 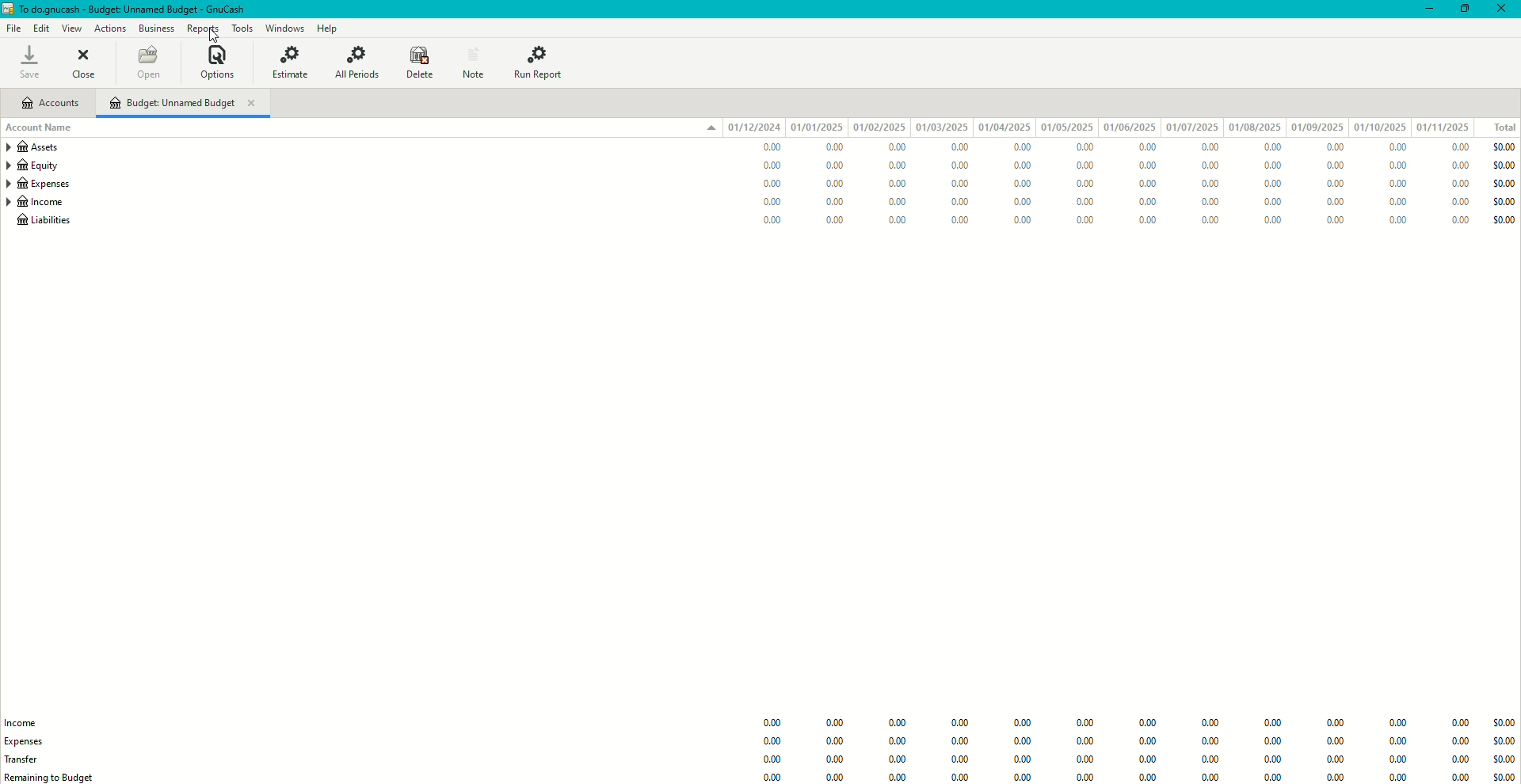 What do you see at coordinates (1396, 147) in the screenshot?
I see `0.00` at bounding box center [1396, 147].